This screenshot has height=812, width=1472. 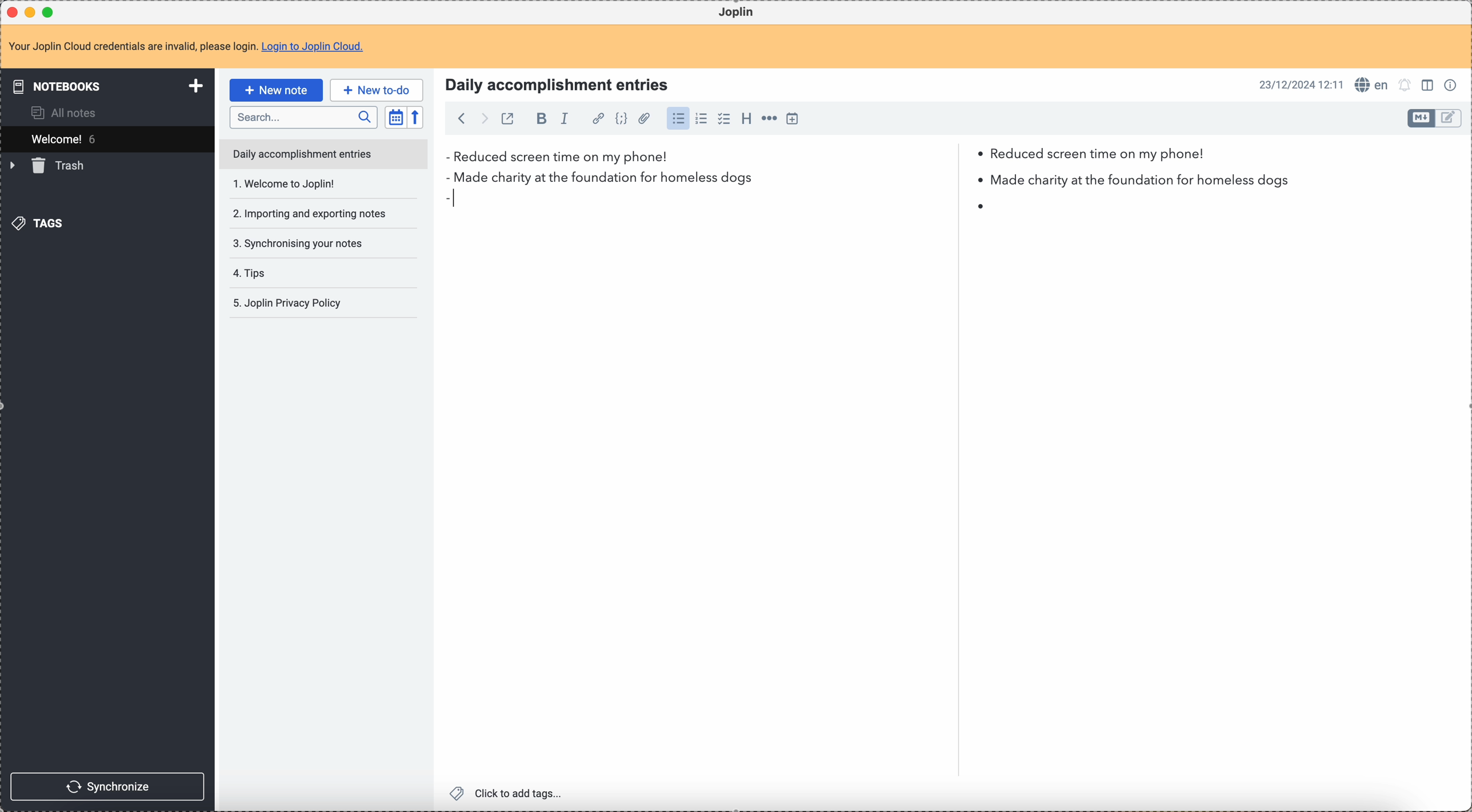 I want to click on click on new note, so click(x=275, y=90).